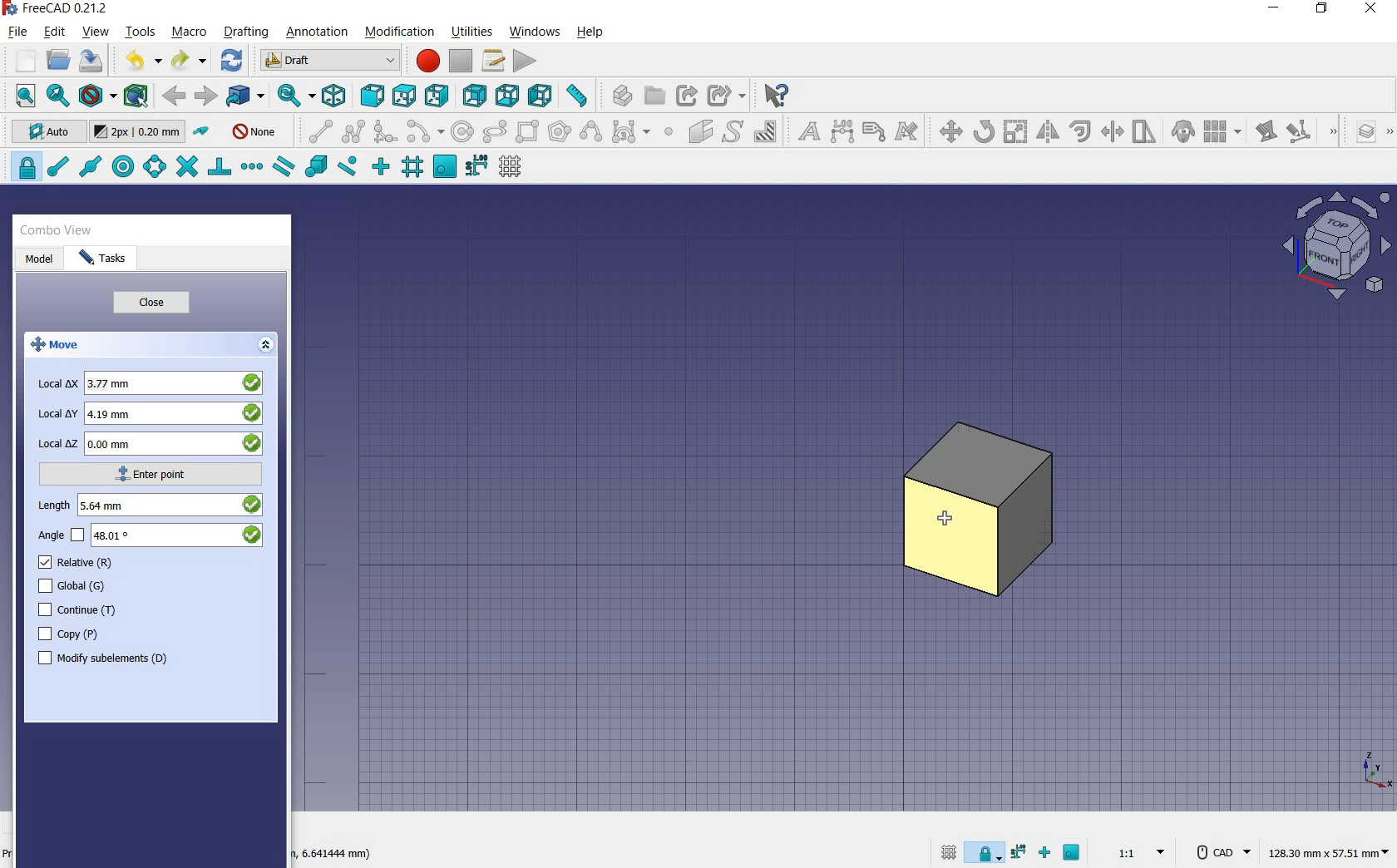 The width and height of the screenshot is (1397, 868). What do you see at coordinates (1112, 131) in the screenshot?
I see `trimex` at bounding box center [1112, 131].